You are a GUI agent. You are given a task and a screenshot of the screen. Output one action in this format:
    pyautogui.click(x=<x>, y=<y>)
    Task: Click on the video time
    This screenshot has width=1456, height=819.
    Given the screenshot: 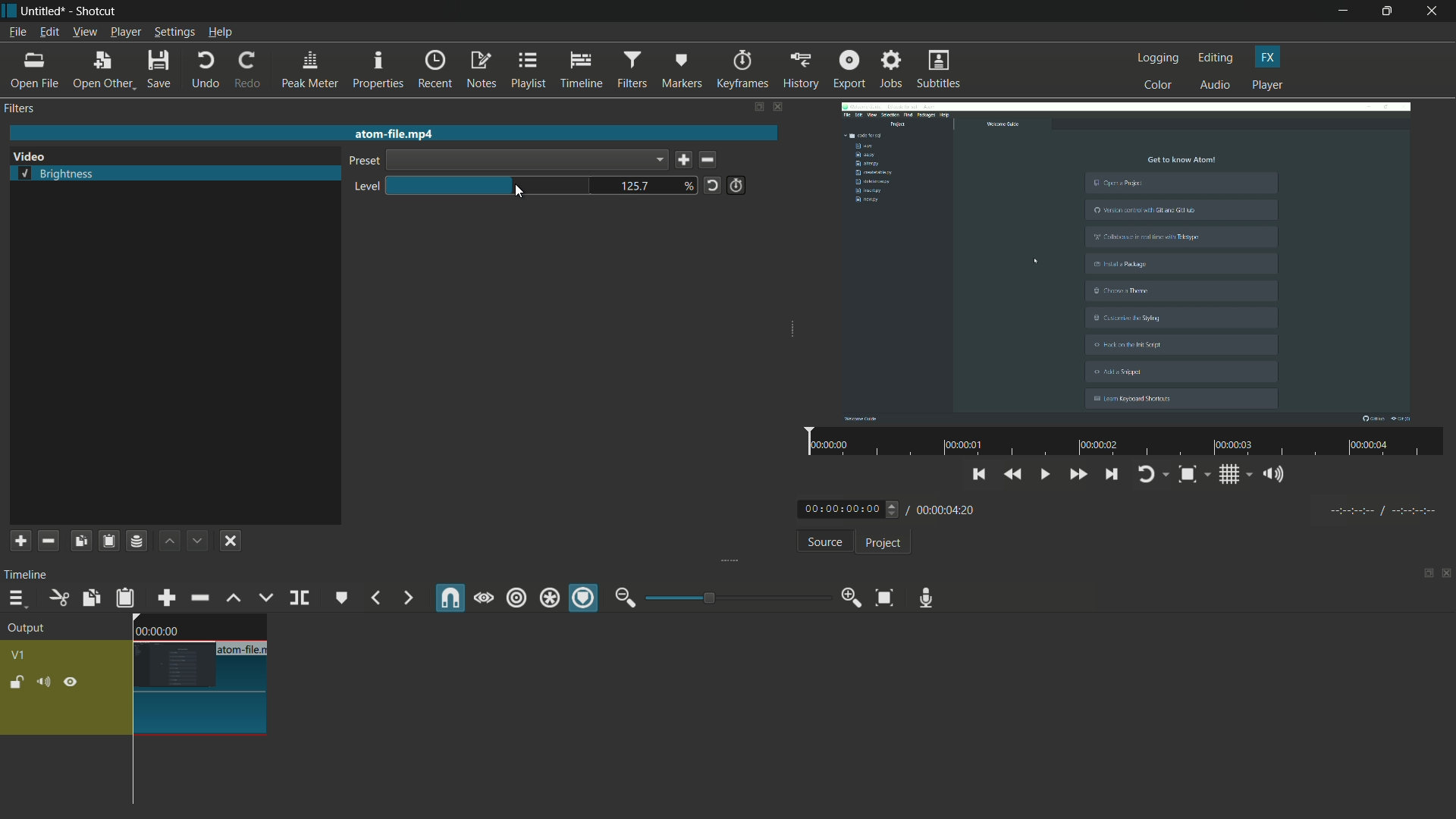 What is the action you would take?
    pyautogui.click(x=1122, y=443)
    